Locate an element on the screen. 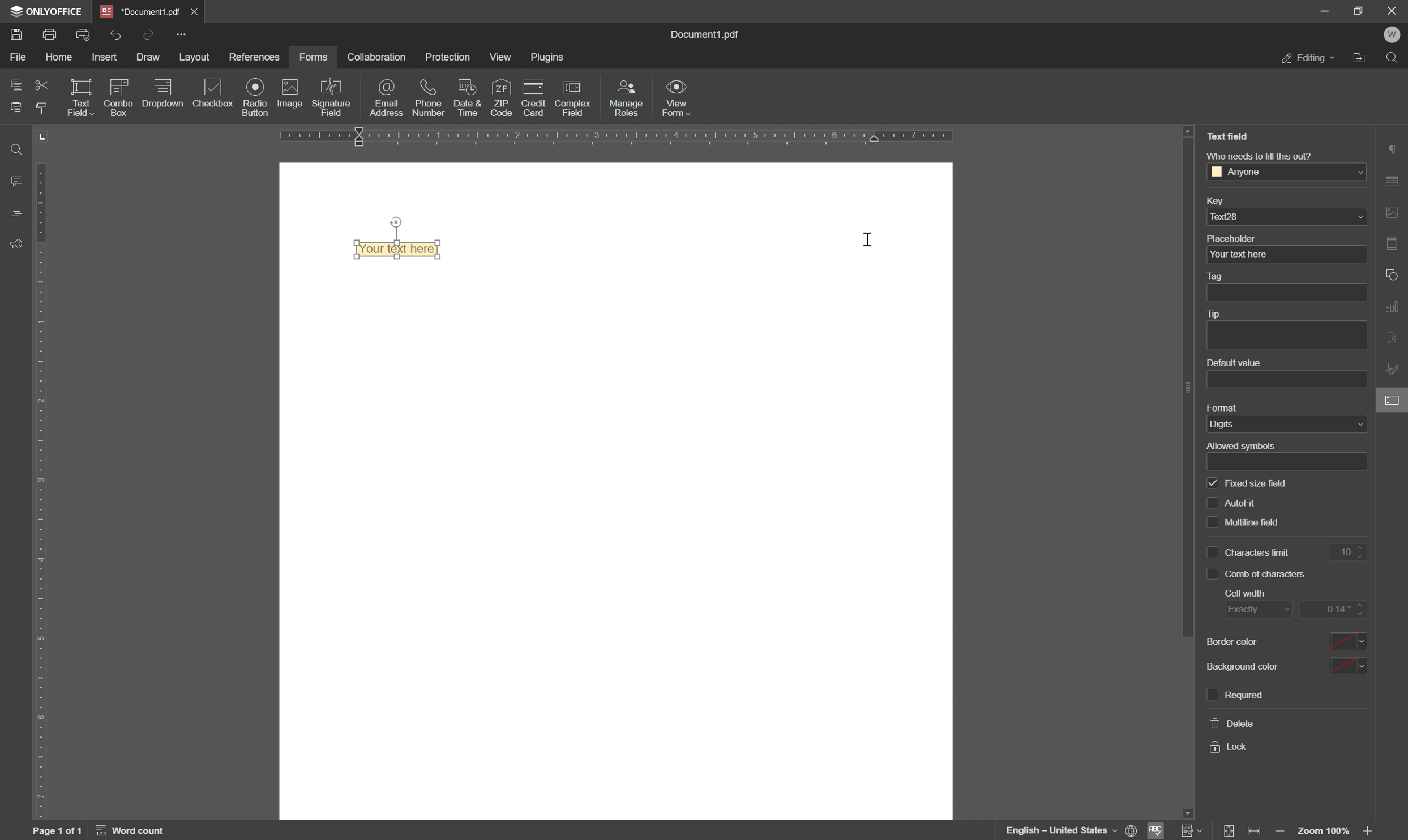  radio button is located at coordinates (254, 98).